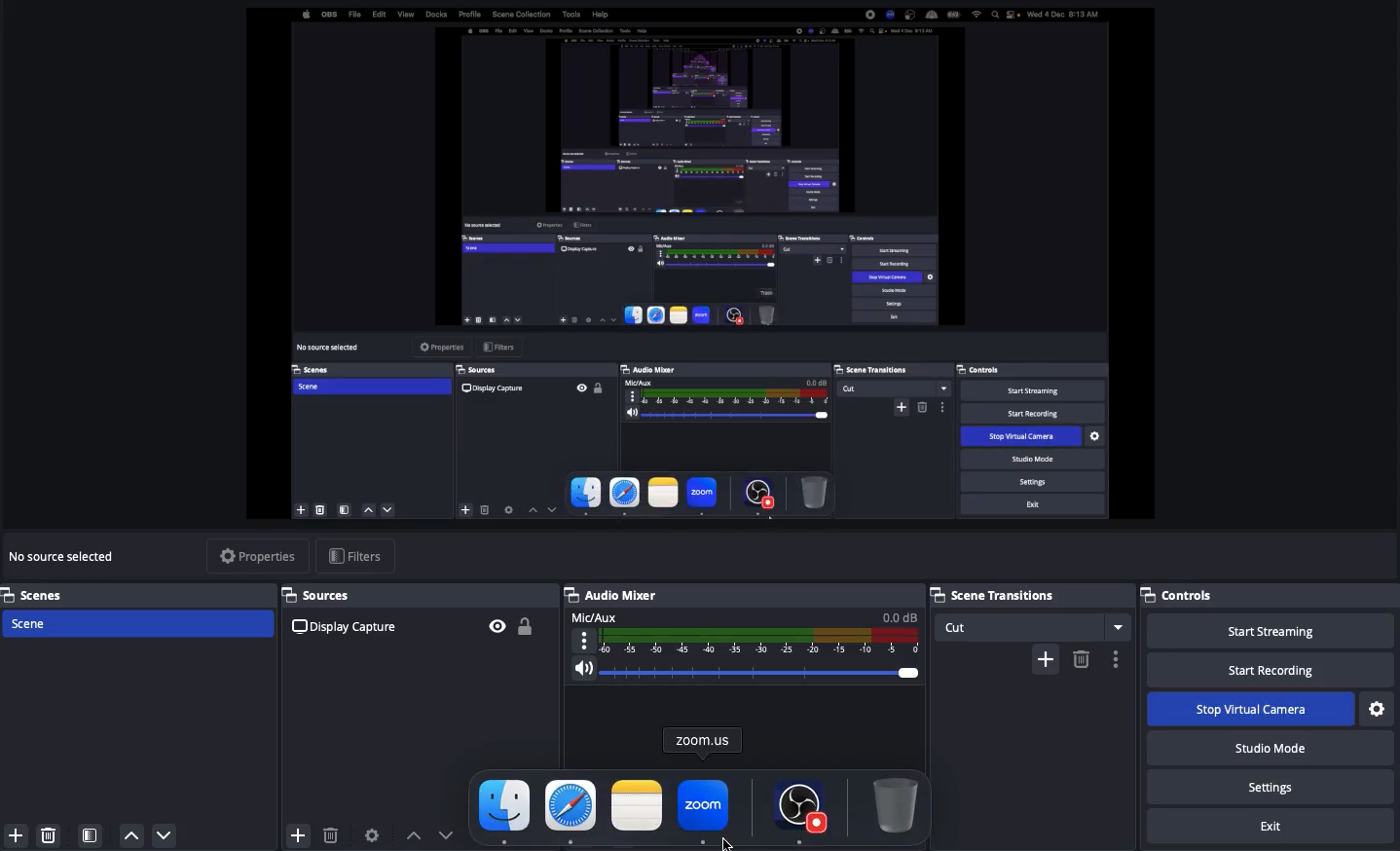 This screenshot has height=851, width=1400. What do you see at coordinates (357, 557) in the screenshot?
I see `Filters` at bounding box center [357, 557].